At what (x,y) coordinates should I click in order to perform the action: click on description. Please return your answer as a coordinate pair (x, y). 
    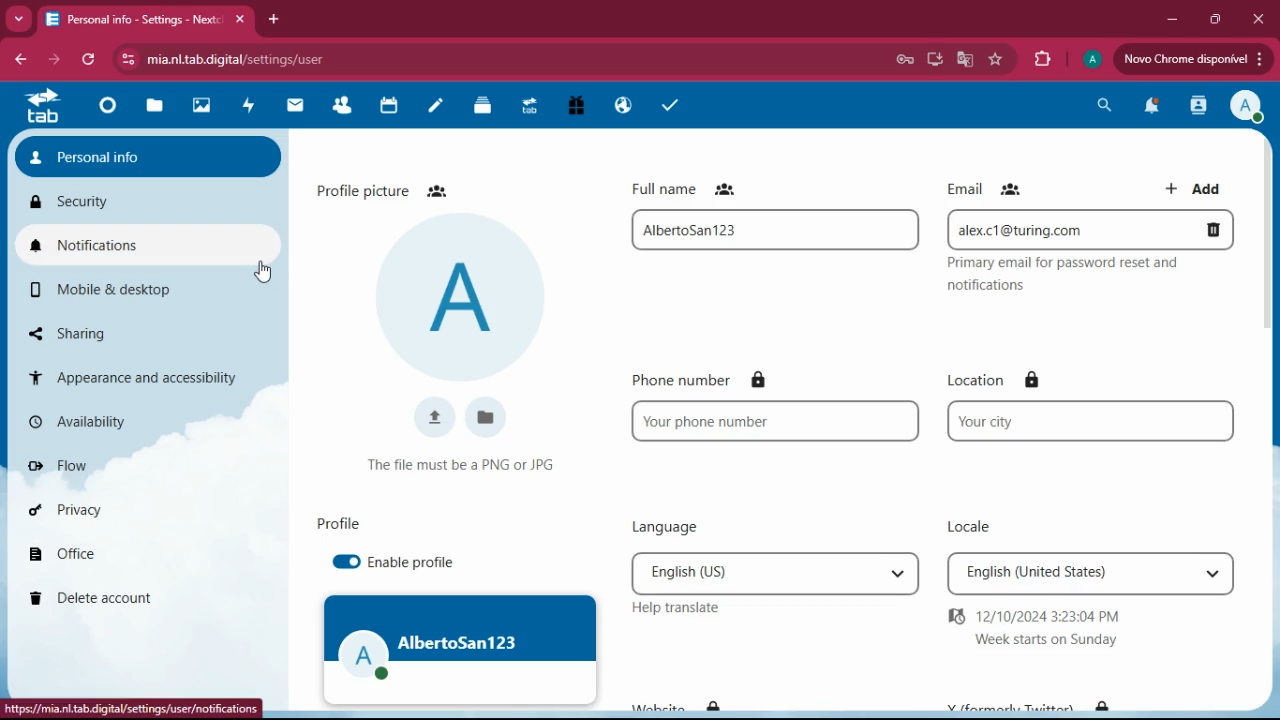
    Looking at the image, I should click on (460, 465).